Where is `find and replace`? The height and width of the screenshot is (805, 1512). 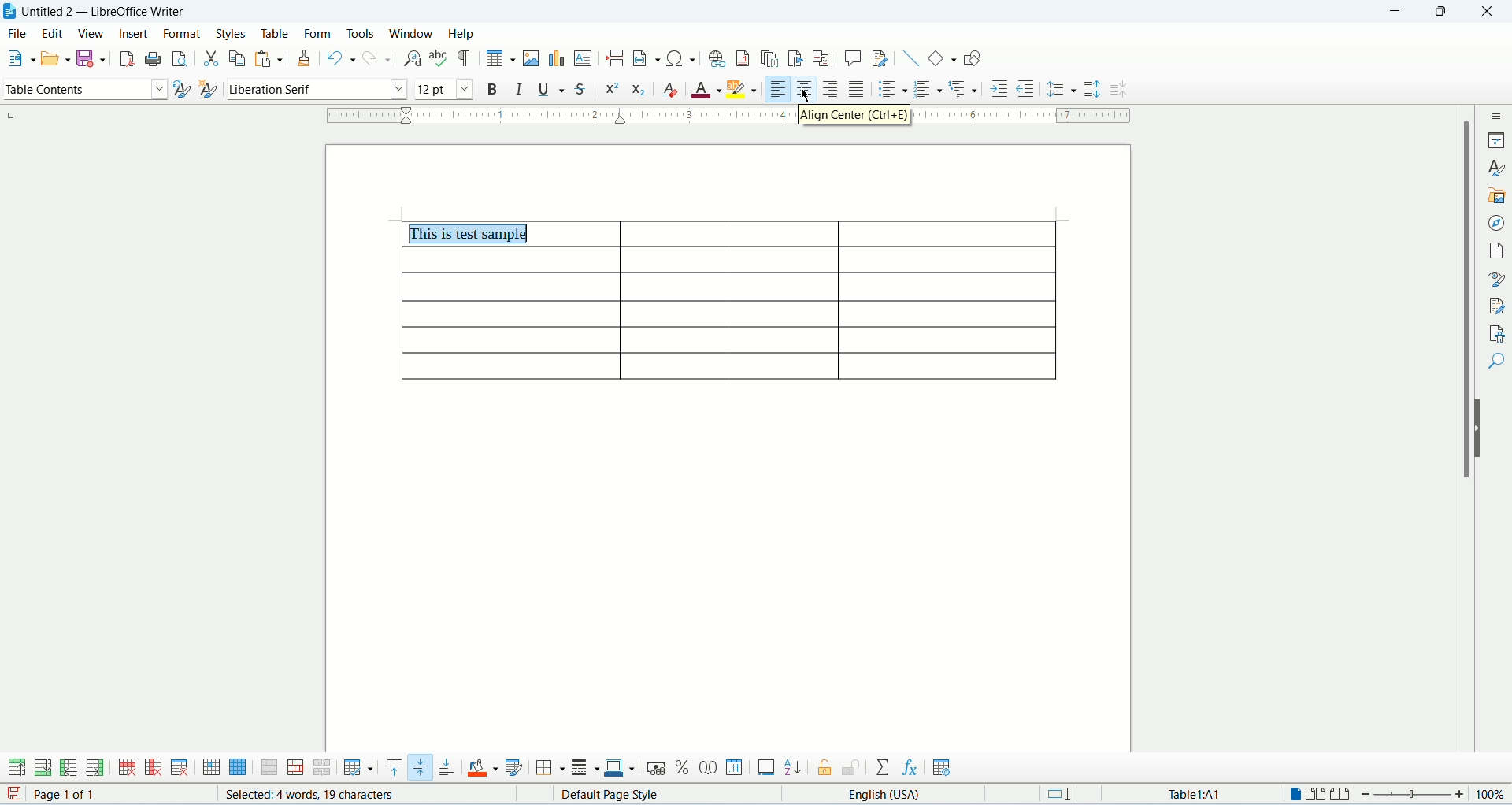
find and replace is located at coordinates (413, 58).